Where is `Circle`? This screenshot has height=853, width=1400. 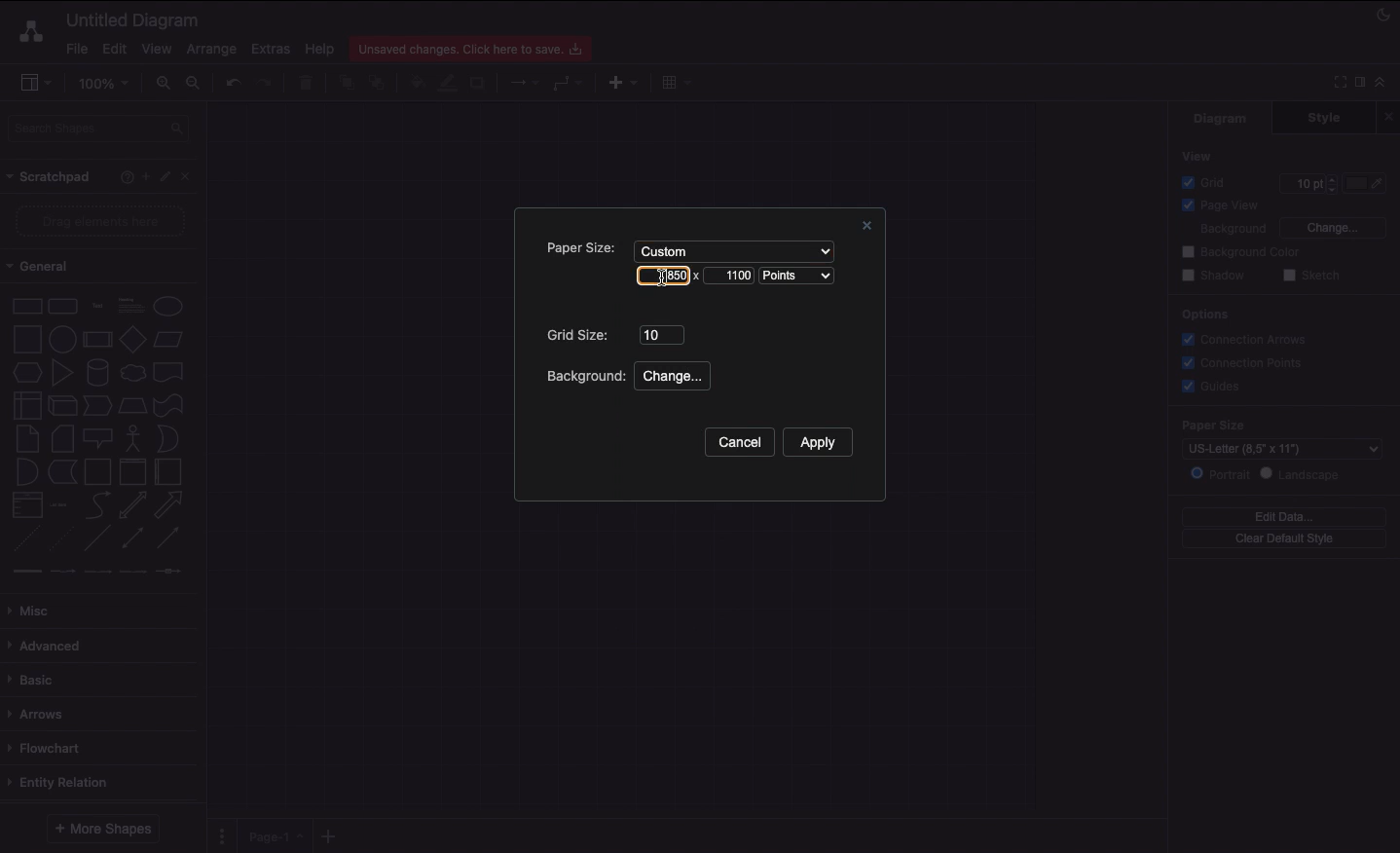
Circle is located at coordinates (62, 337).